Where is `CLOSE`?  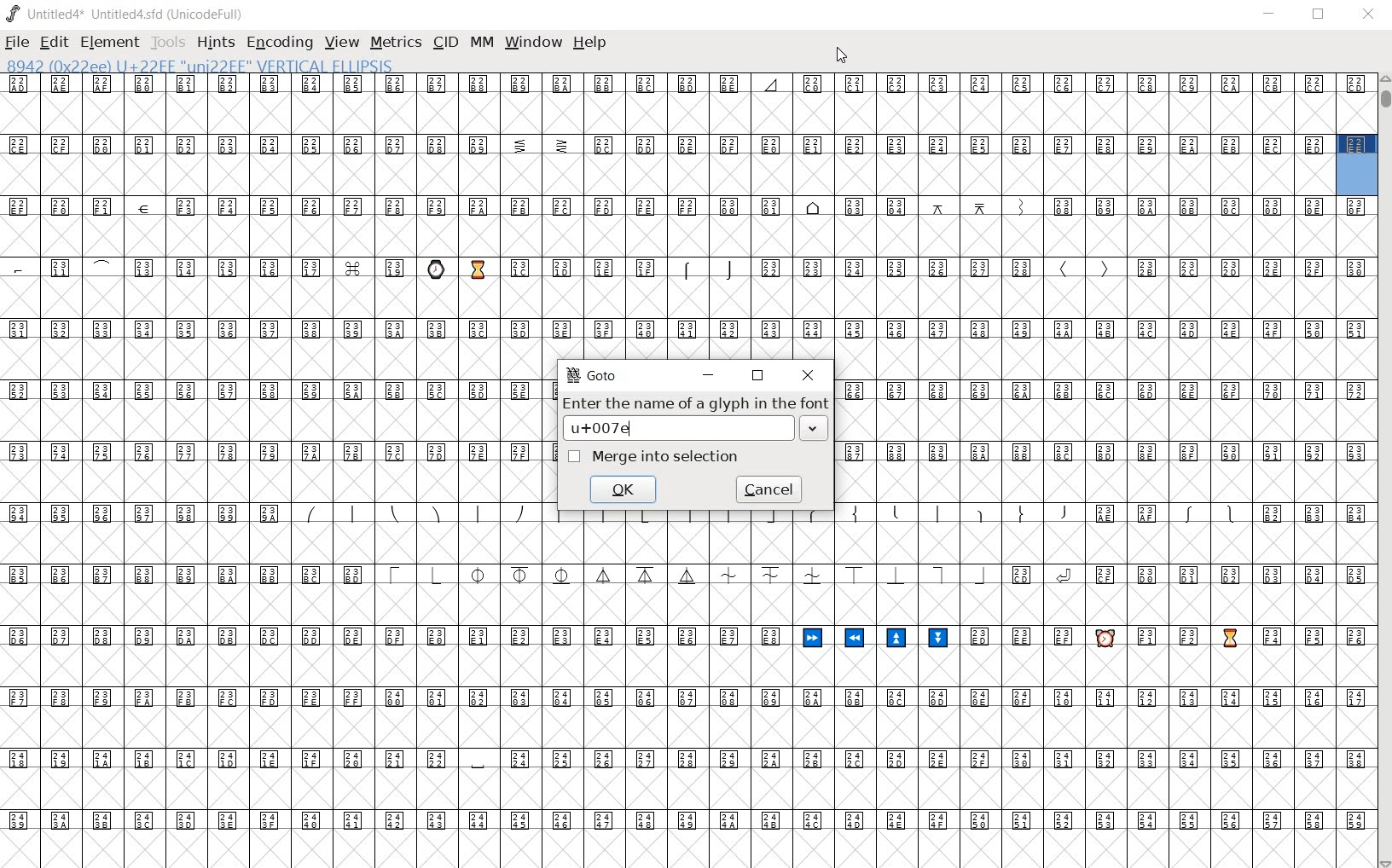
CLOSE is located at coordinates (1368, 14).